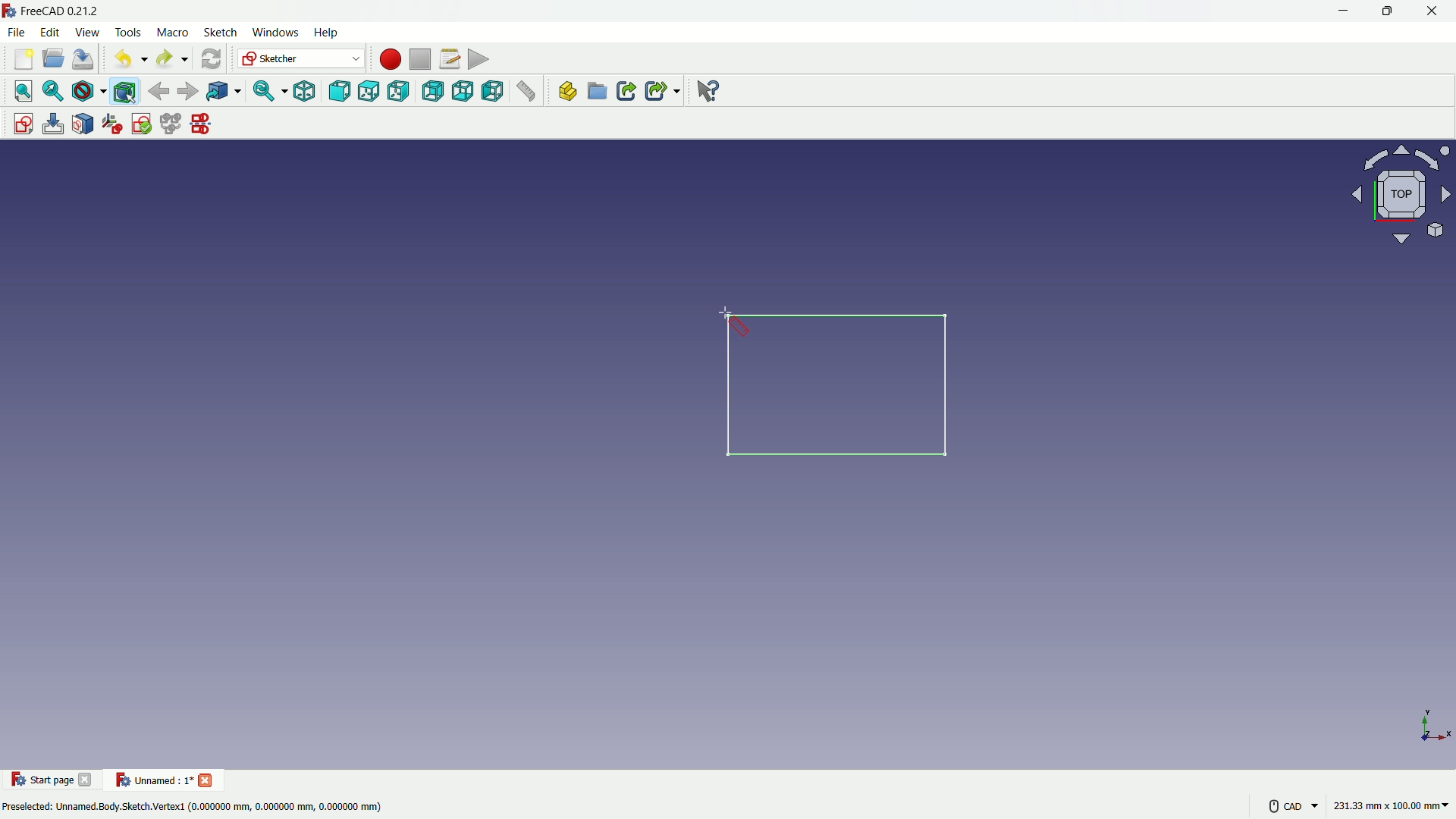 Image resolution: width=1456 pixels, height=819 pixels. What do you see at coordinates (20, 91) in the screenshot?
I see `fit all` at bounding box center [20, 91].